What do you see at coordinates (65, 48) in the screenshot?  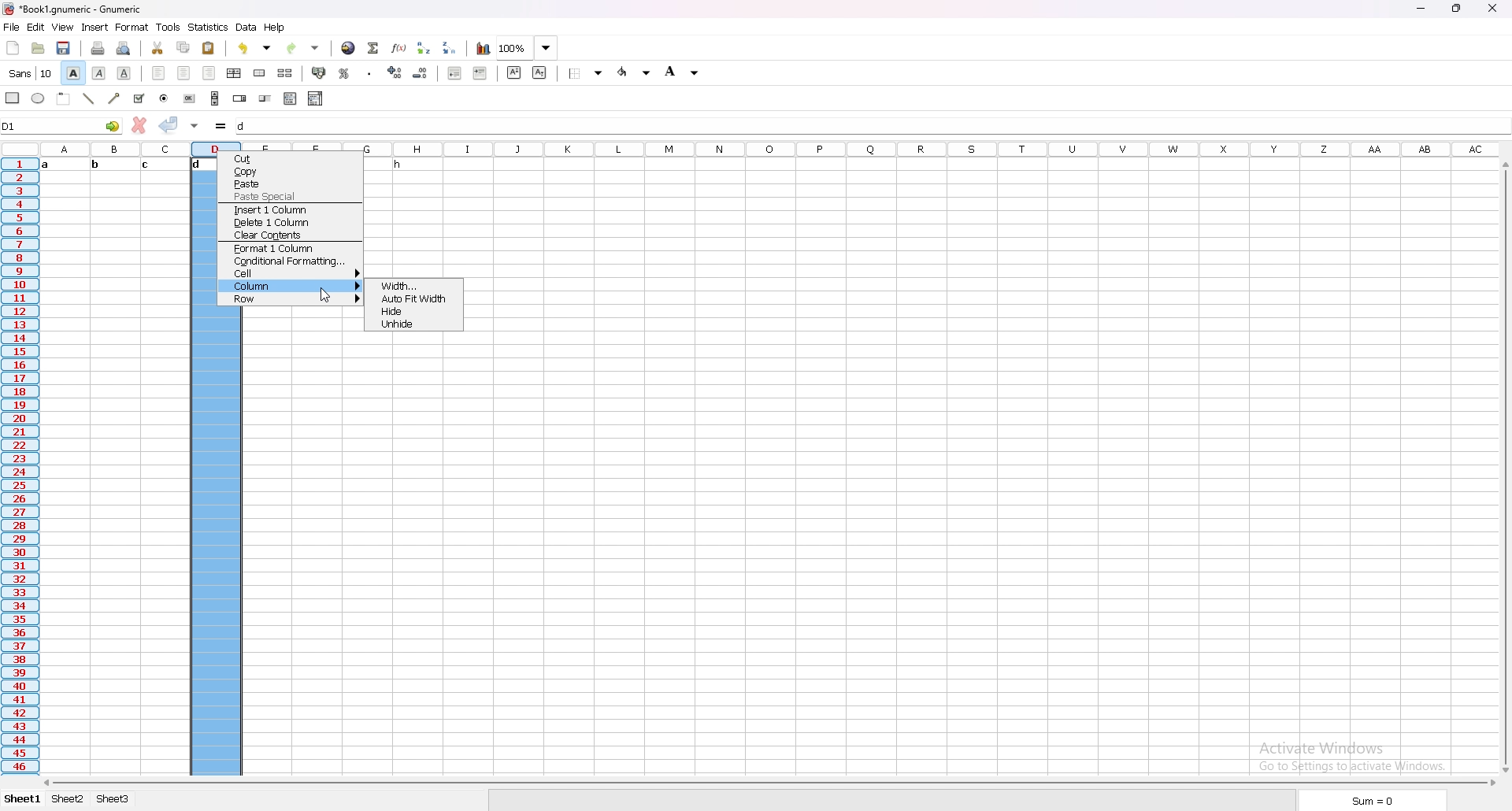 I see `save` at bounding box center [65, 48].